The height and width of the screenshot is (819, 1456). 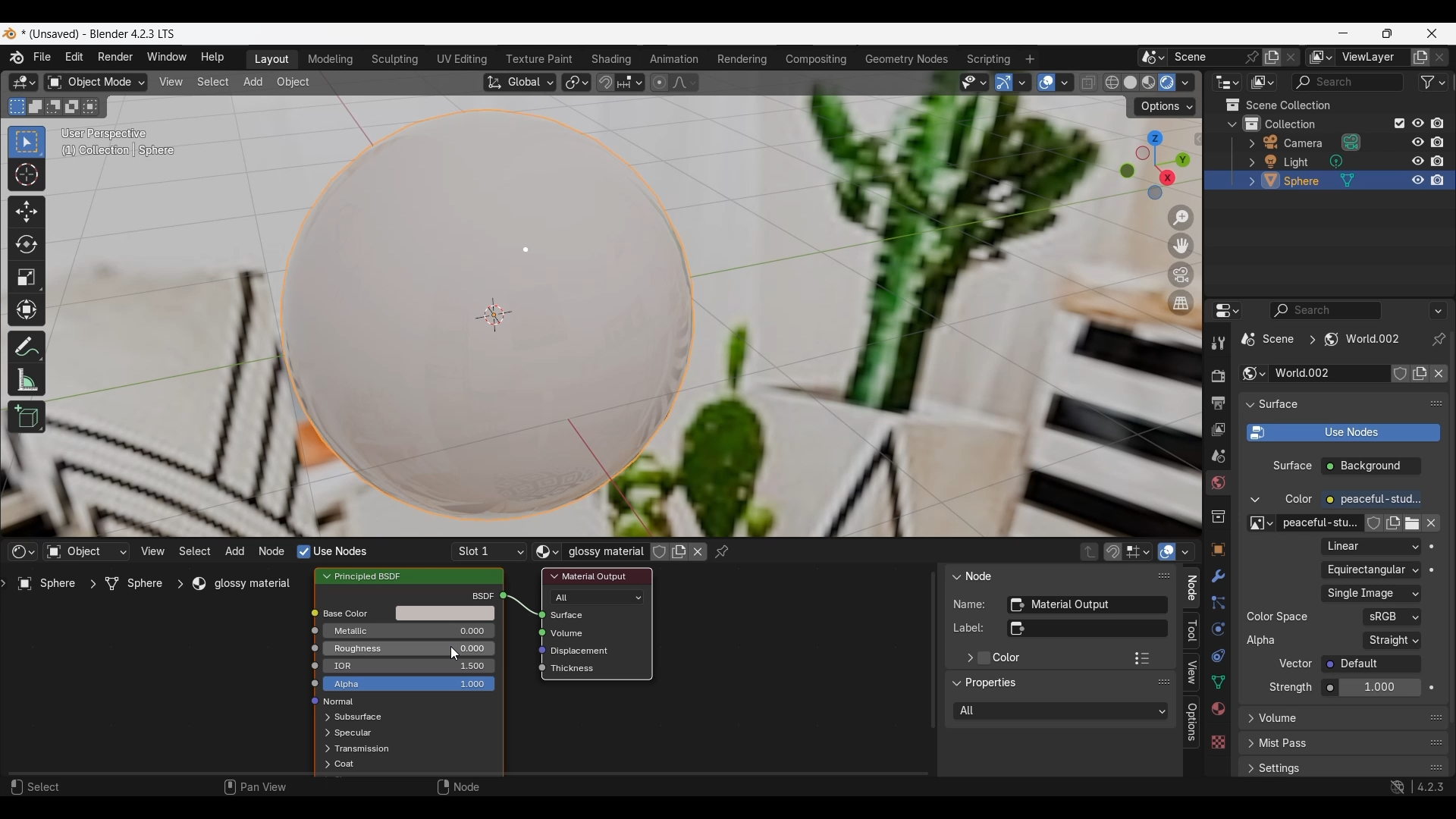 I want to click on Compositing workspace, so click(x=815, y=59).